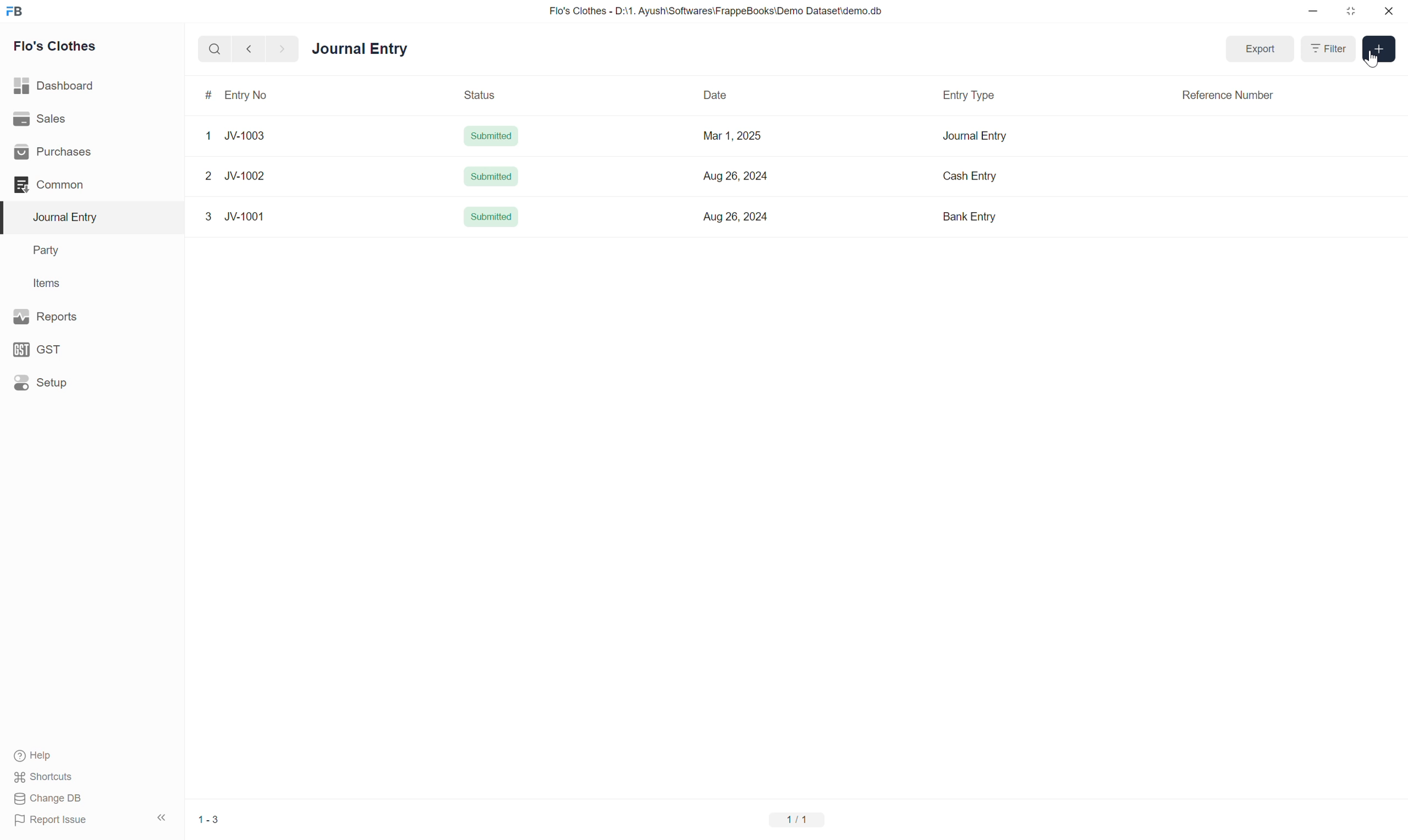 The image size is (1408, 840). Describe the element at coordinates (360, 50) in the screenshot. I see `Journal Entry` at that location.